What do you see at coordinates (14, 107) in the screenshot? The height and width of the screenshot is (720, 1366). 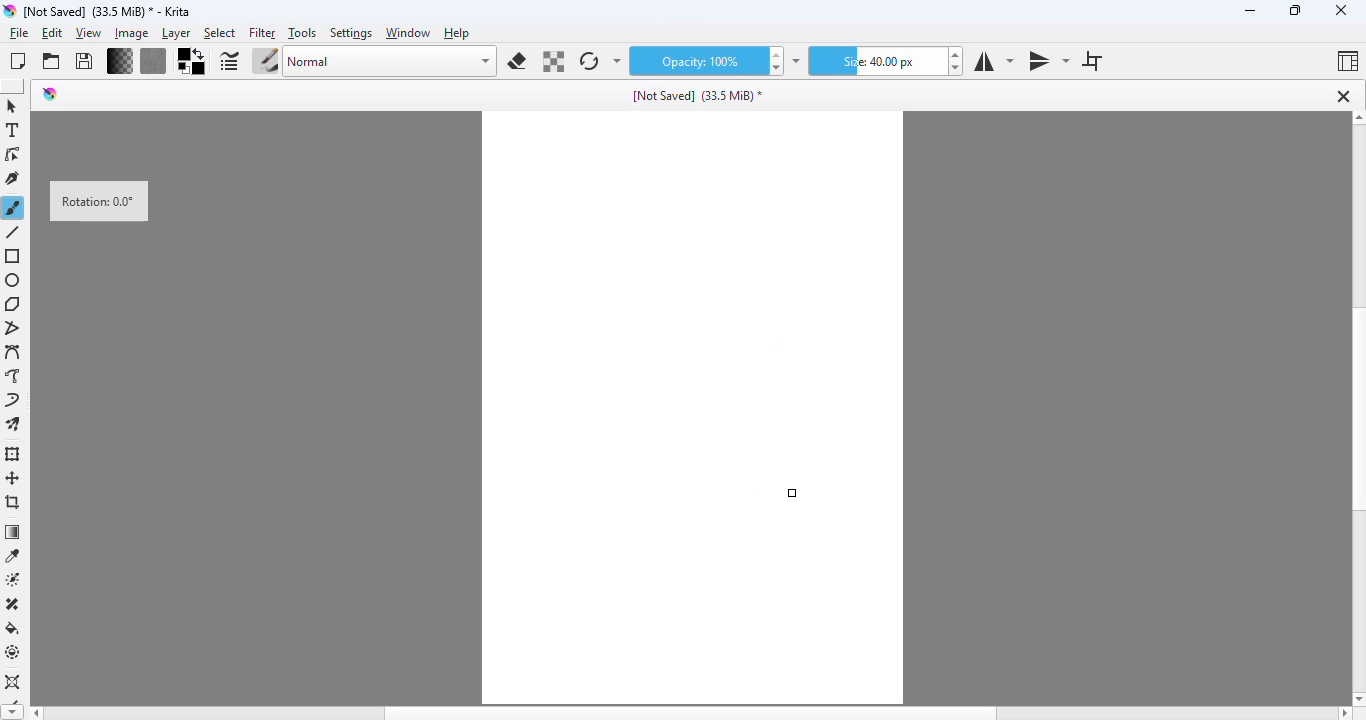 I see `select shapes tool` at bounding box center [14, 107].